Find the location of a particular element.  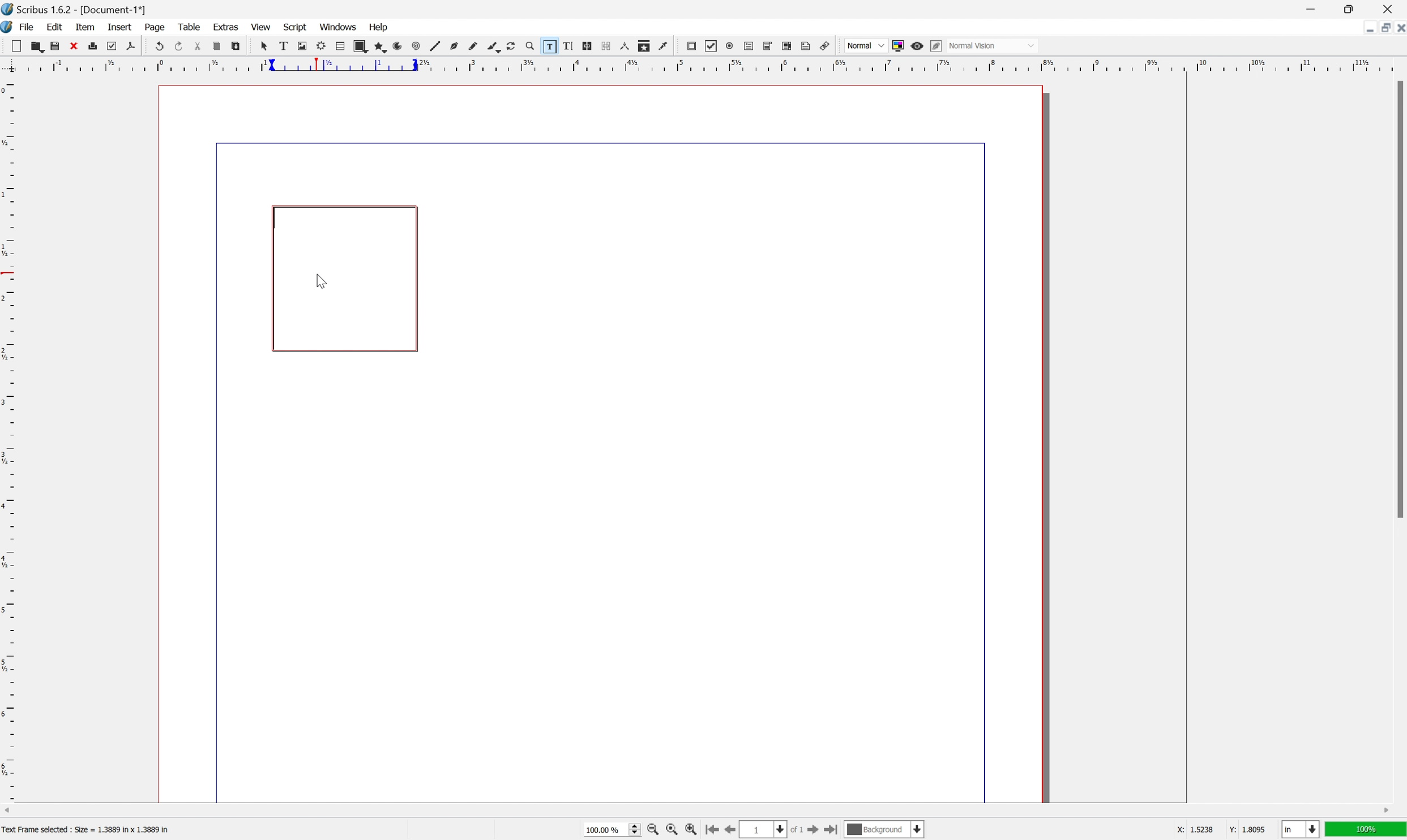

edit contents of frame is located at coordinates (548, 45).